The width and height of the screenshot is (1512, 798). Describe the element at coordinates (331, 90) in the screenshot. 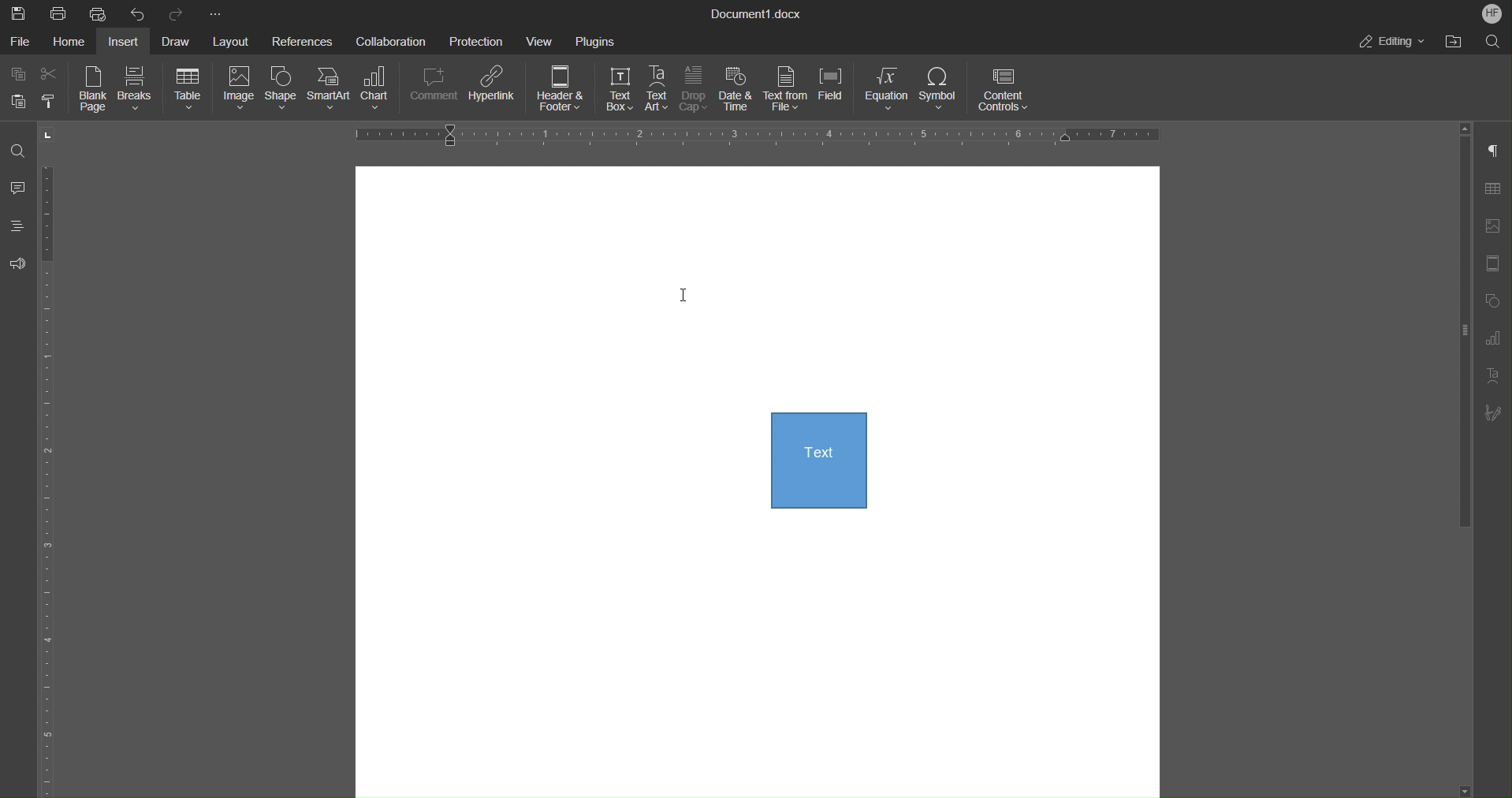

I see `SmartArt` at that location.